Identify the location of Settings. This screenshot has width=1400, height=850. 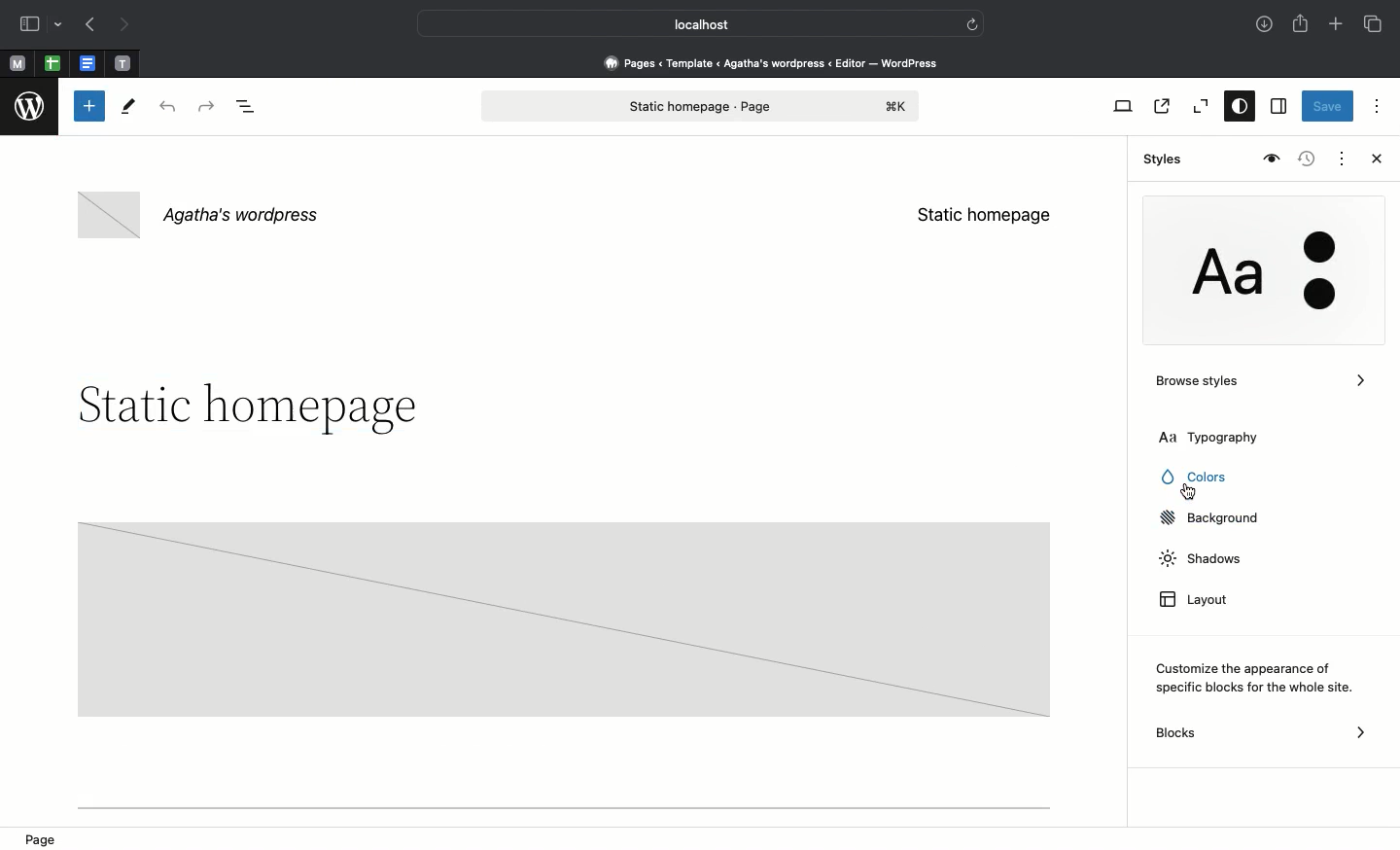
(1277, 107).